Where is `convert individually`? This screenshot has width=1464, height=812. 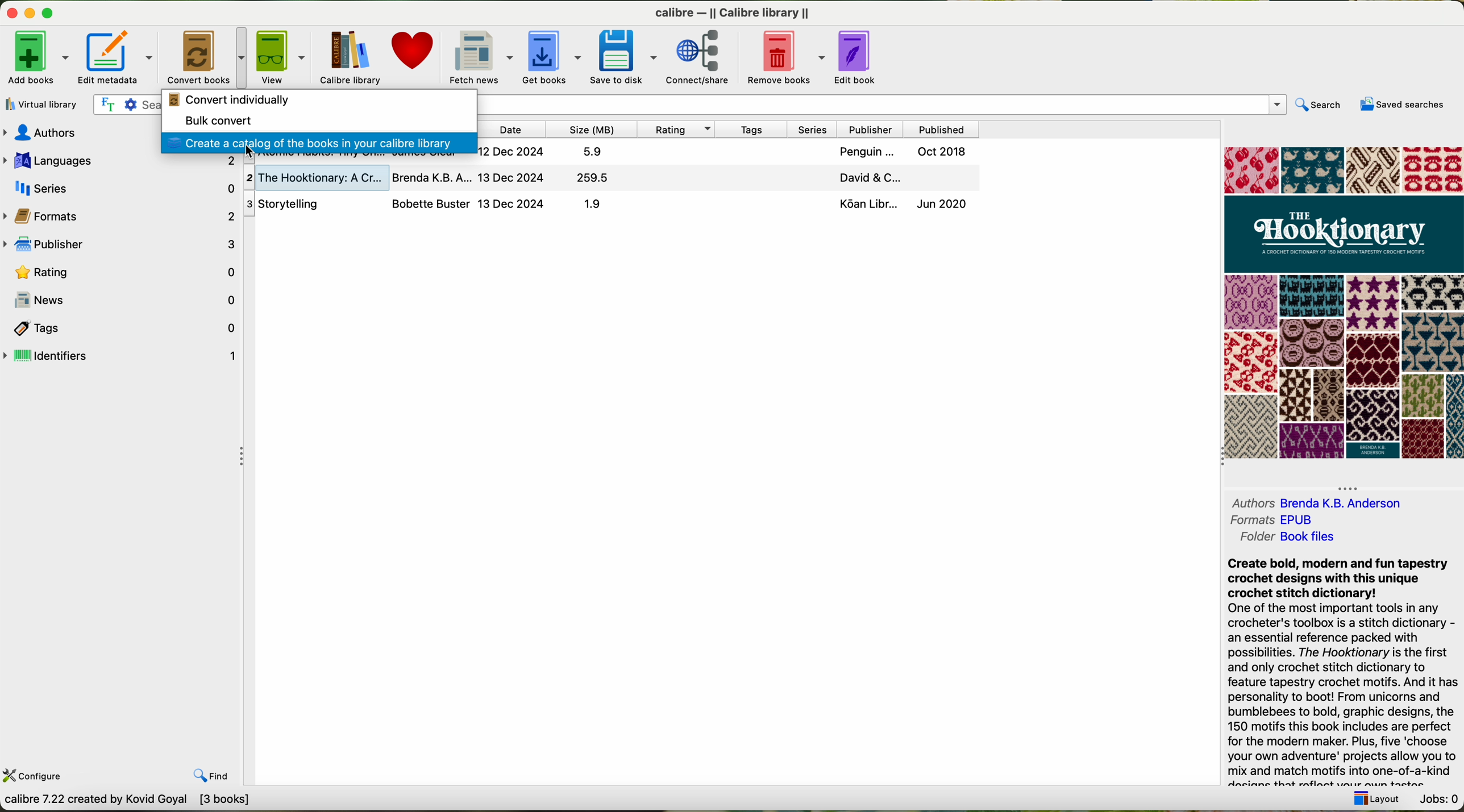 convert individually is located at coordinates (231, 99).